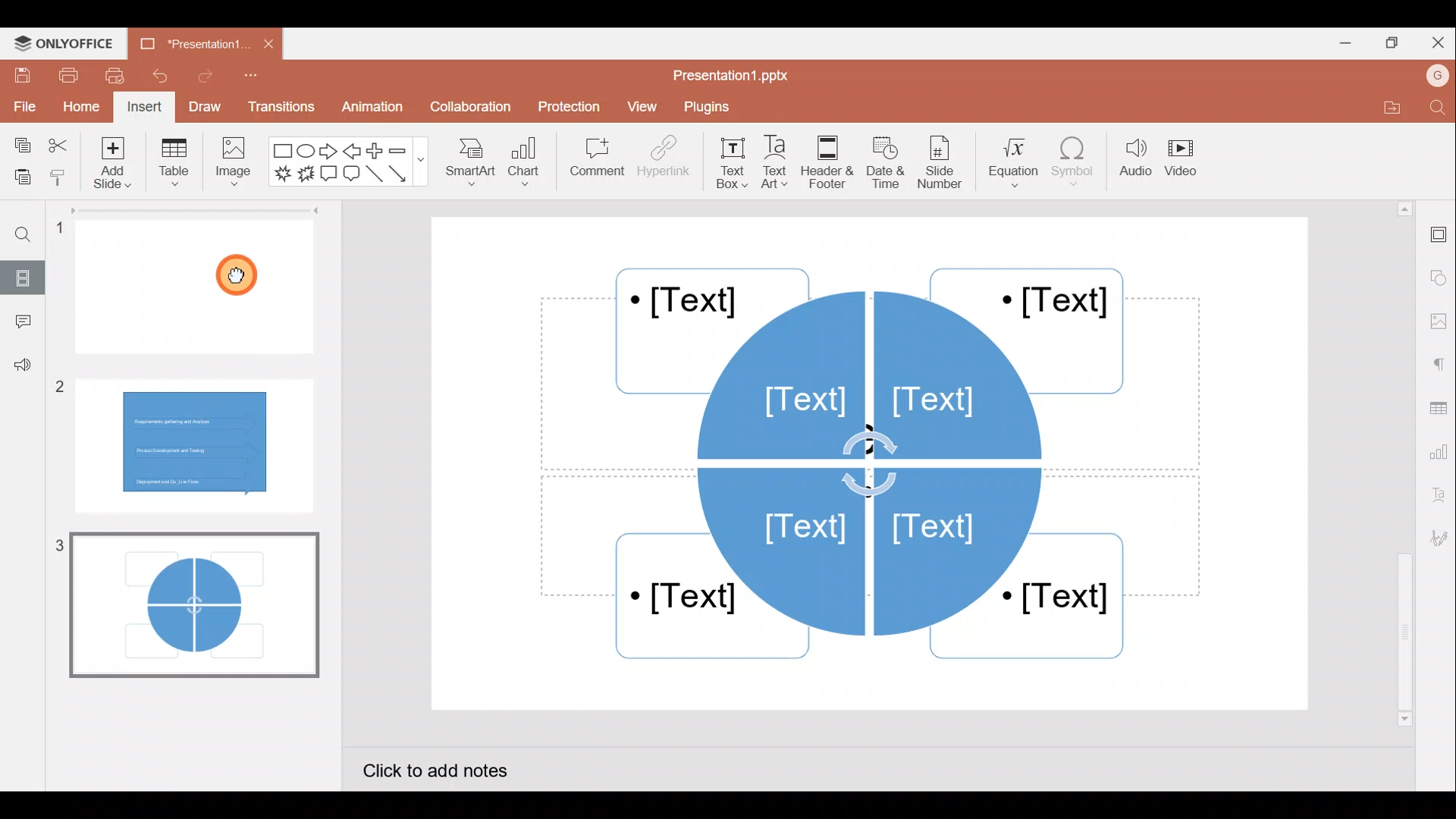  Describe the element at coordinates (728, 163) in the screenshot. I see `Text box` at that location.